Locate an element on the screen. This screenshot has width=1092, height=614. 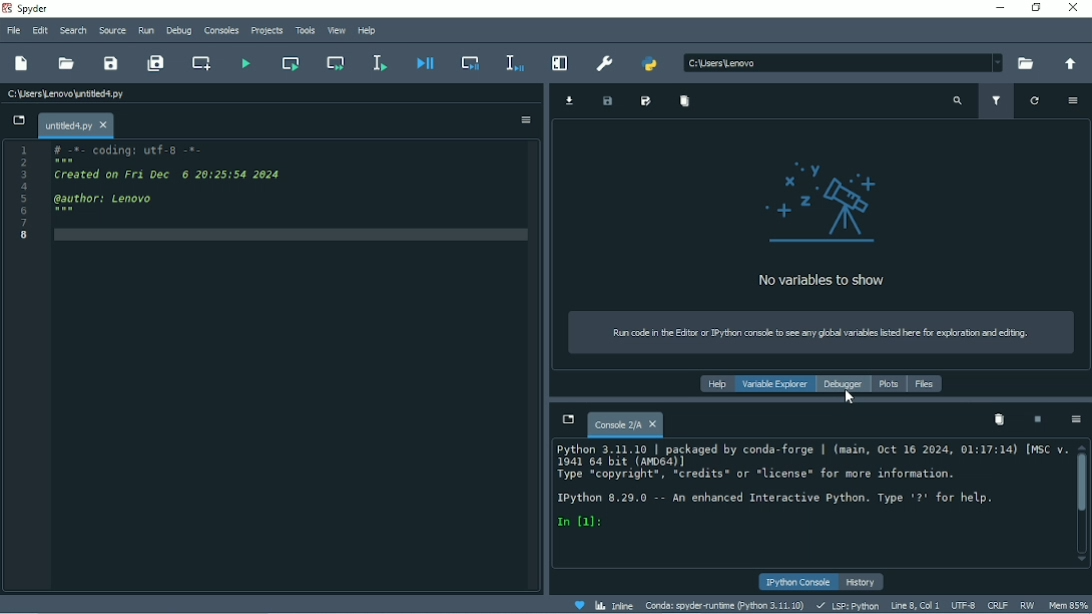
Options is located at coordinates (525, 121).